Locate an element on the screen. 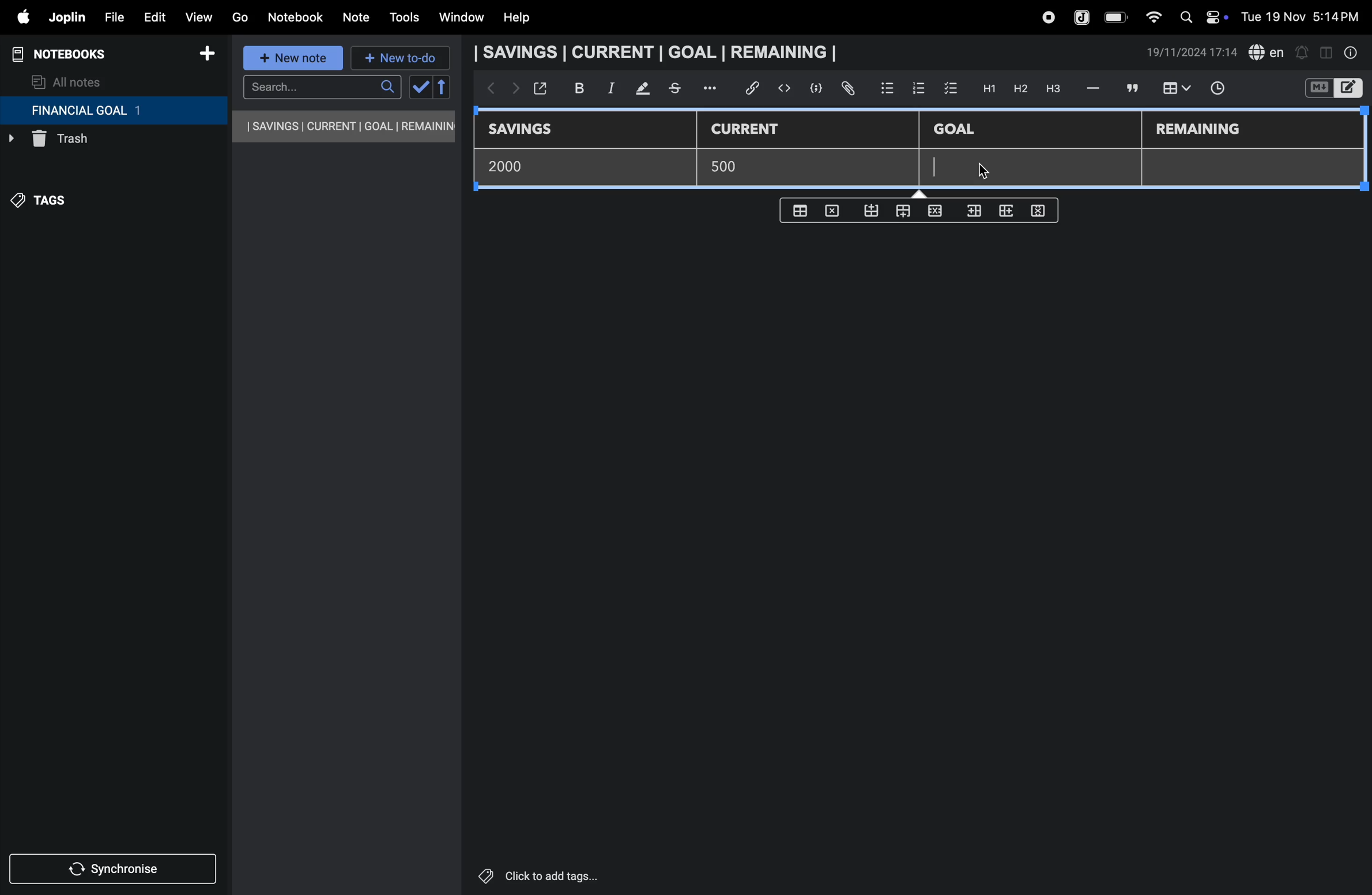 The width and height of the screenshot is (1372, 895). h2 is located at coordinates (1019, 88).